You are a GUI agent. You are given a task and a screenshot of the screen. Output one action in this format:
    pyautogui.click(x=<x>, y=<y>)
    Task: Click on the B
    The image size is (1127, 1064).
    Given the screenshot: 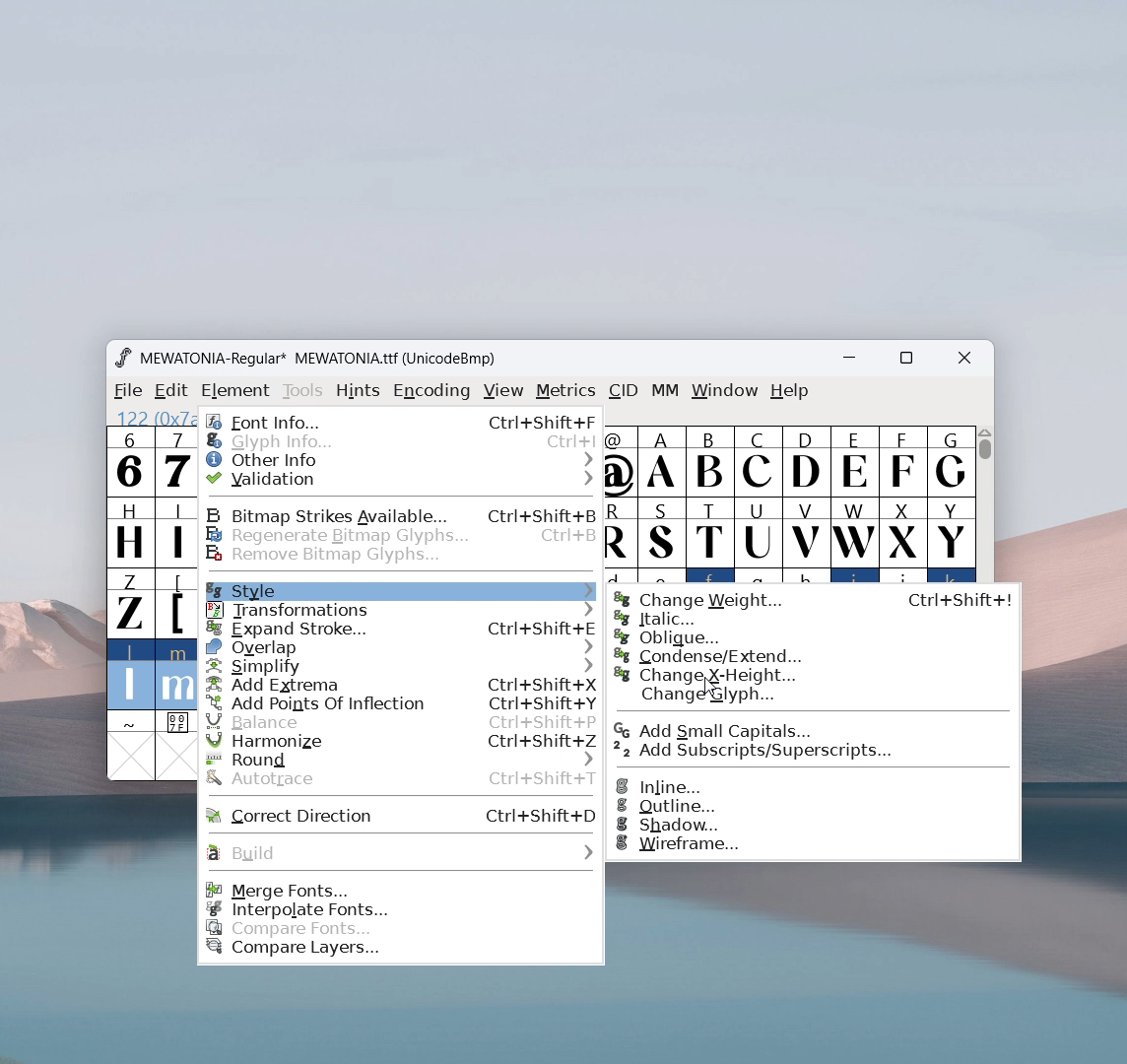 What is the action you would take?
    pyautogui.click(x=709, y=462)
    